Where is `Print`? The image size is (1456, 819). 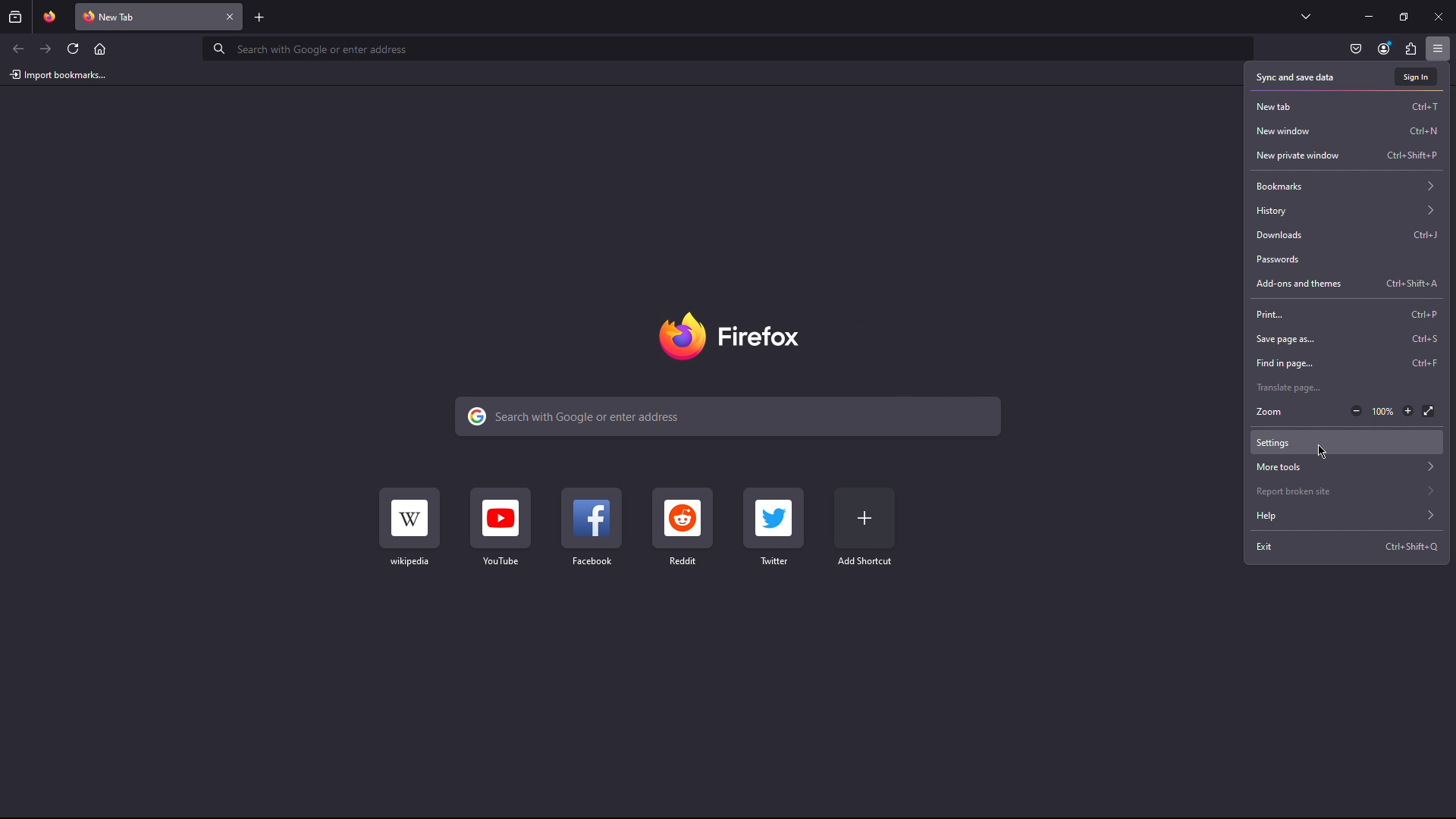 Print is located at coordinates (1346, 312).